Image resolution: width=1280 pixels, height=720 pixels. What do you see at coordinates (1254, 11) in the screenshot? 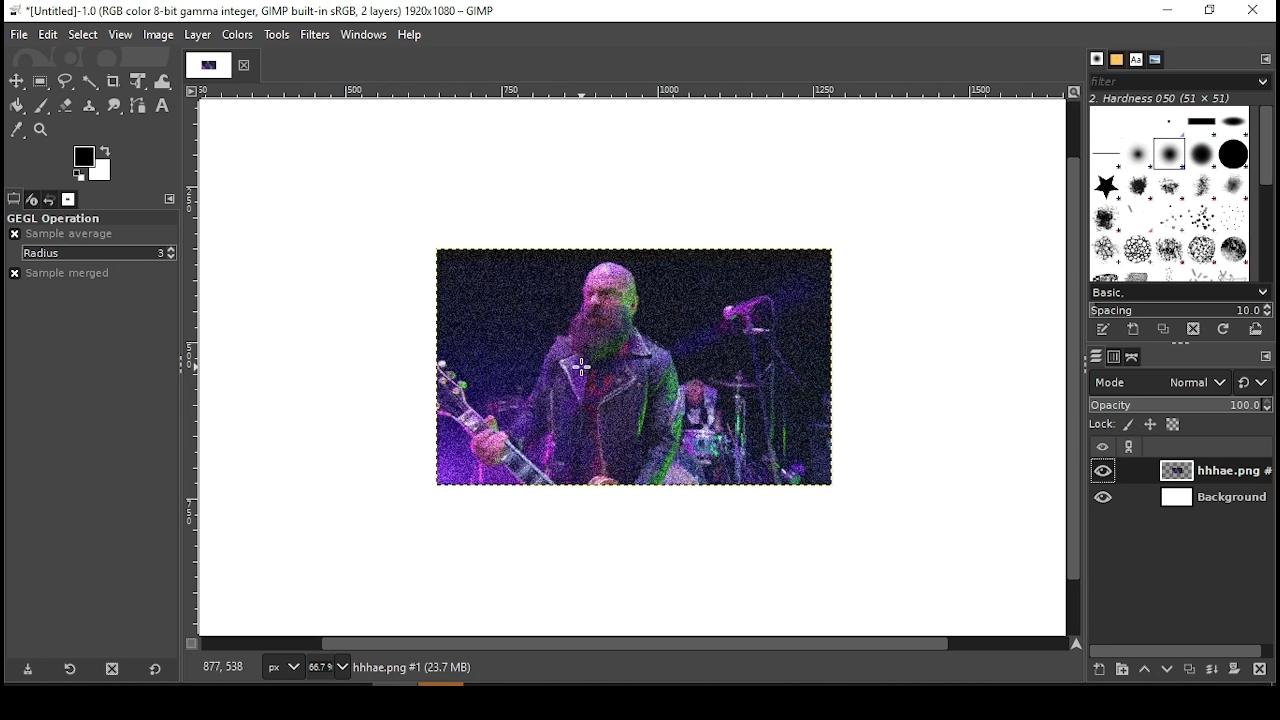
I see `close window` at bounding box center [1254, 11].